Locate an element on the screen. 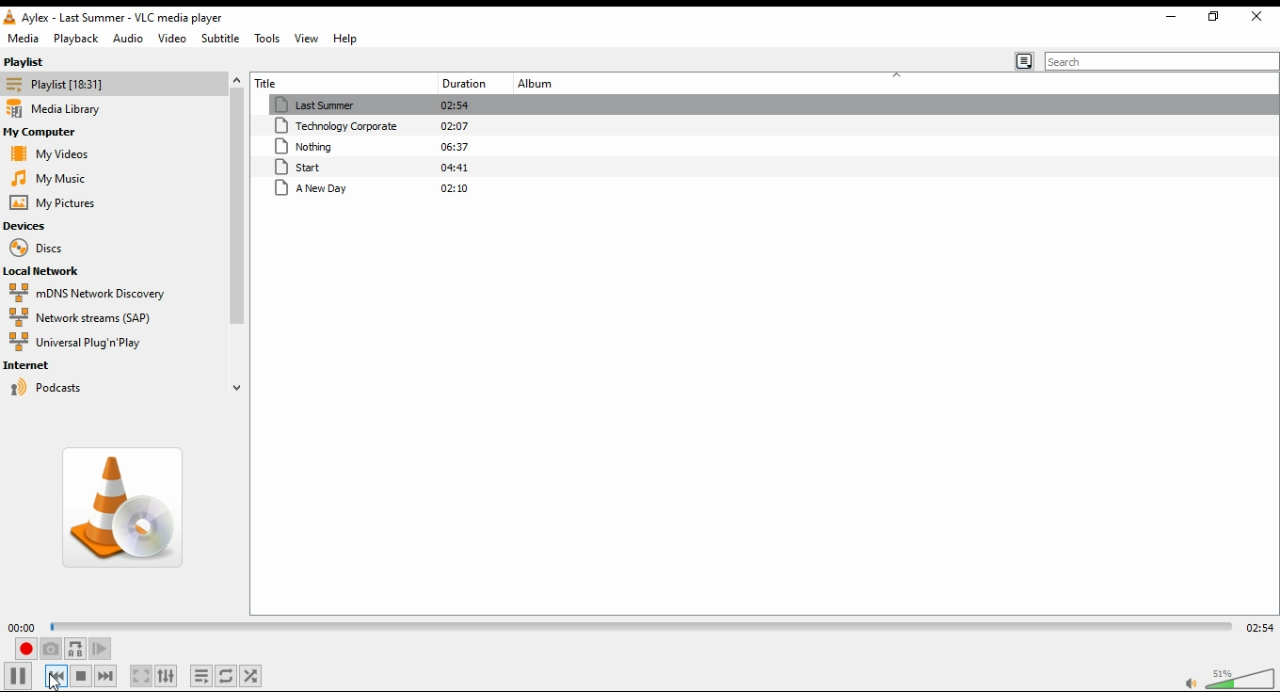 The image size is (1280, 692). frame by frame is located at coordinates (100, 649).